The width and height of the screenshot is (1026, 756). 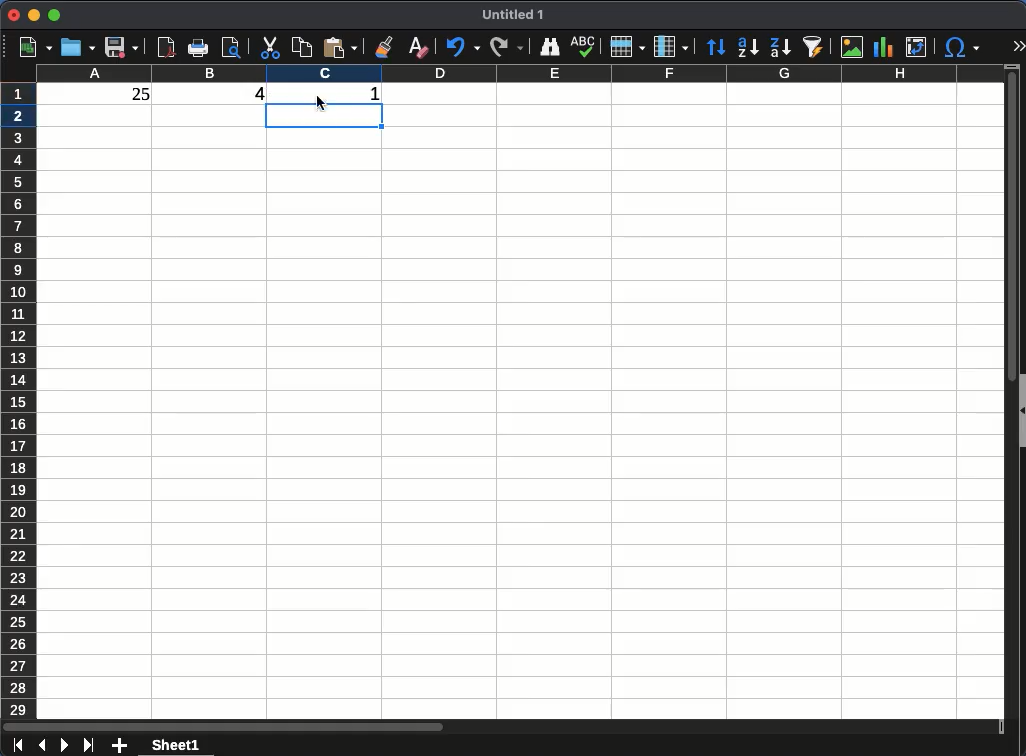 I want to click on cut, so click(x=269, y=49).